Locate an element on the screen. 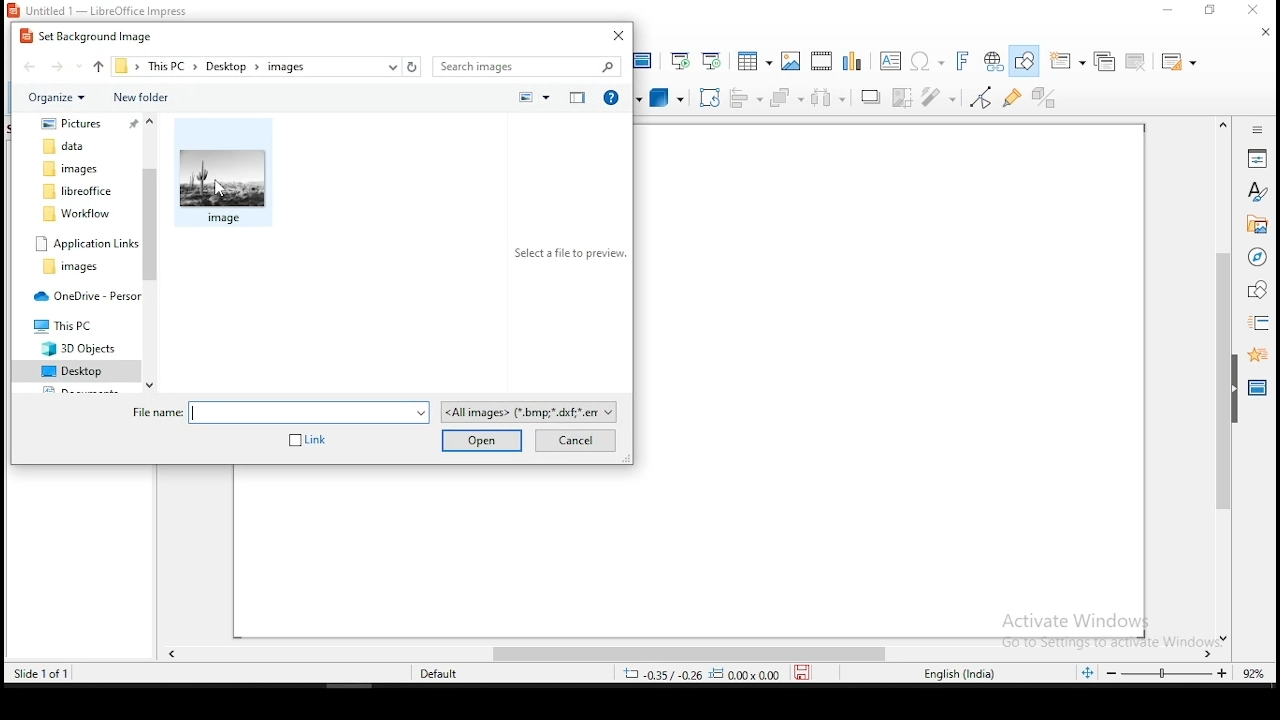  File name is located at coordinates (278, 412).